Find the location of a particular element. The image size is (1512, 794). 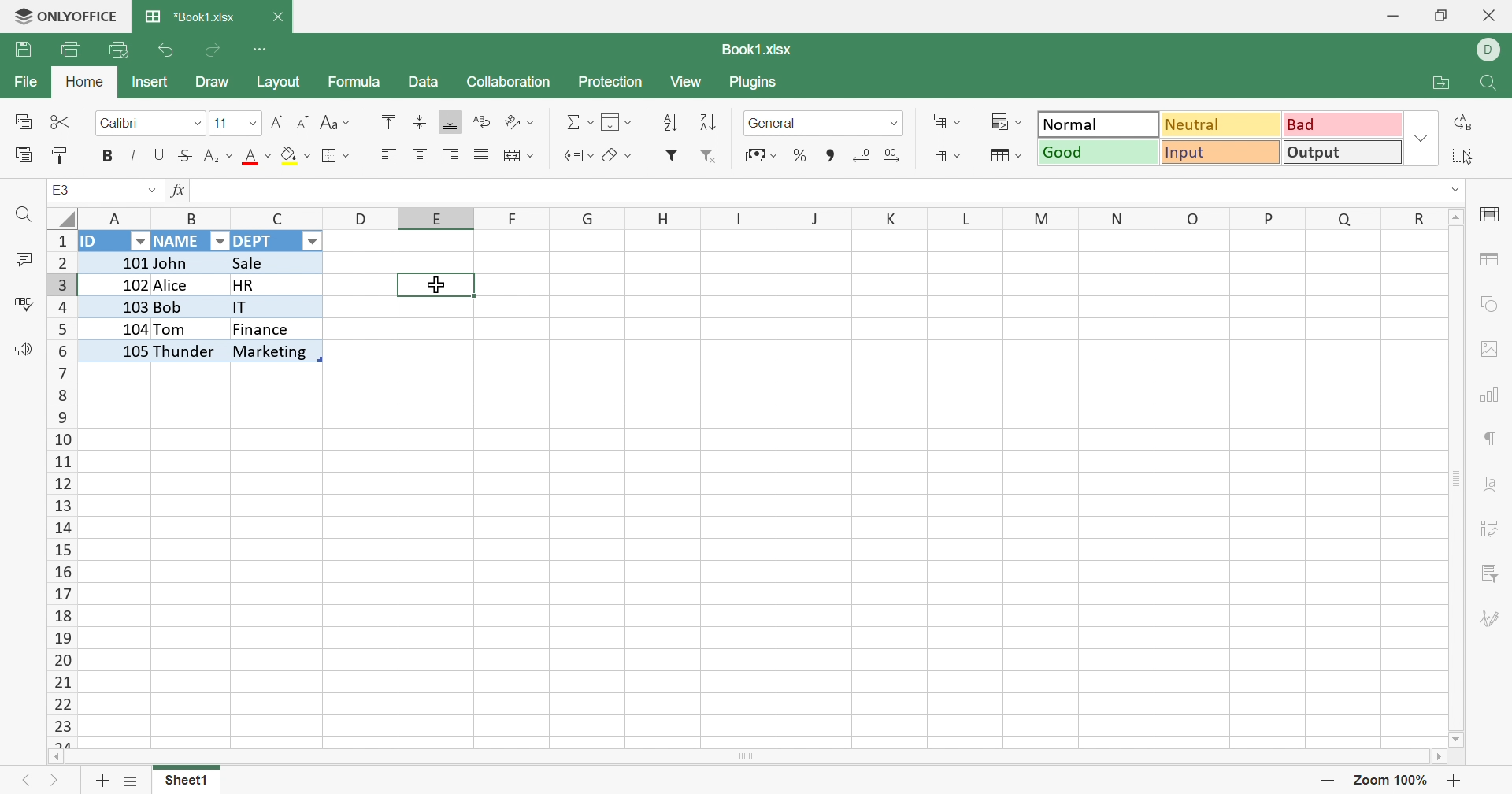

Increase decimal is located at coordinates (895, 156).